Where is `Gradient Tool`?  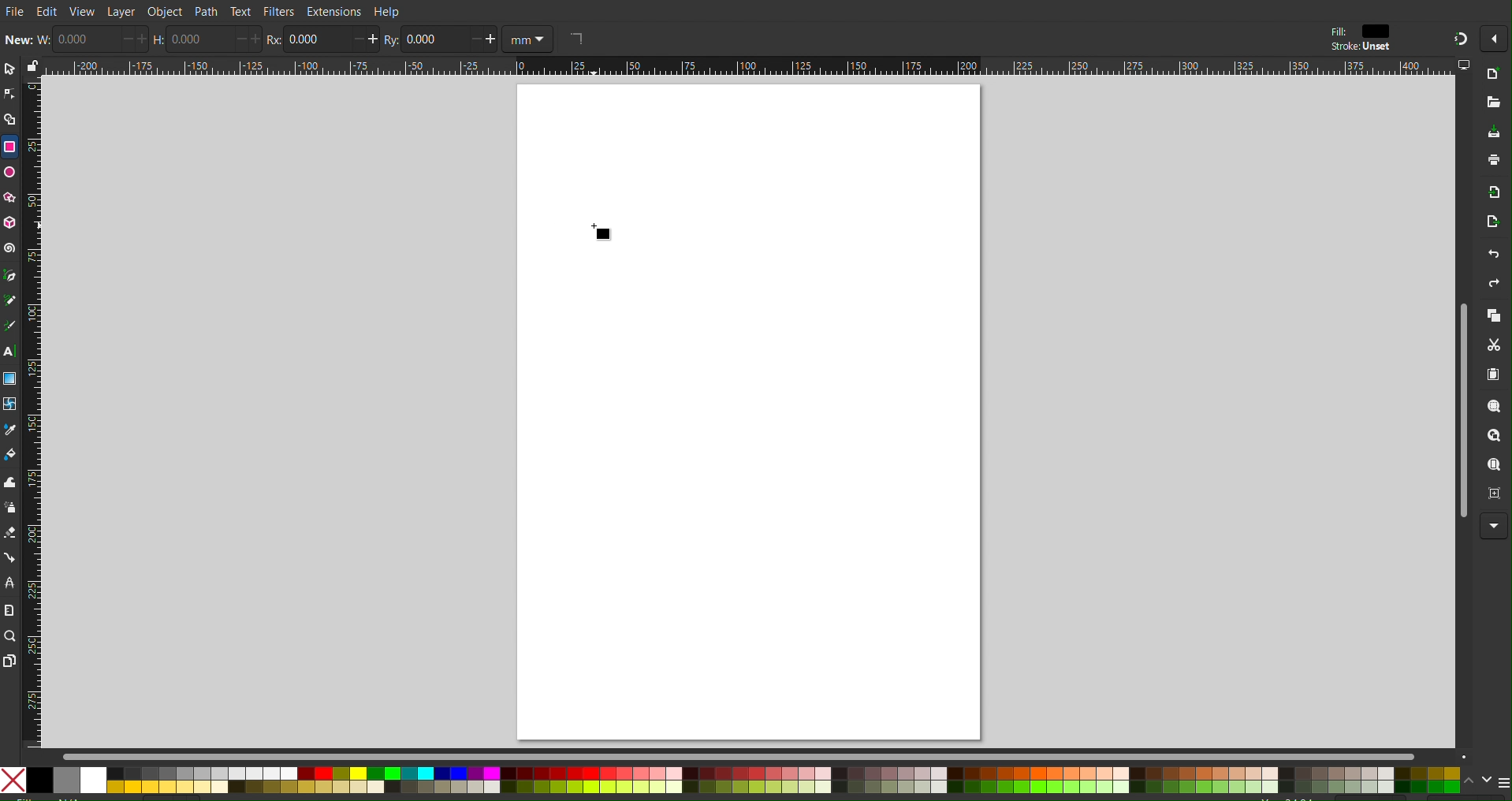 Gradient Tool is located at coordinates (9, 378).